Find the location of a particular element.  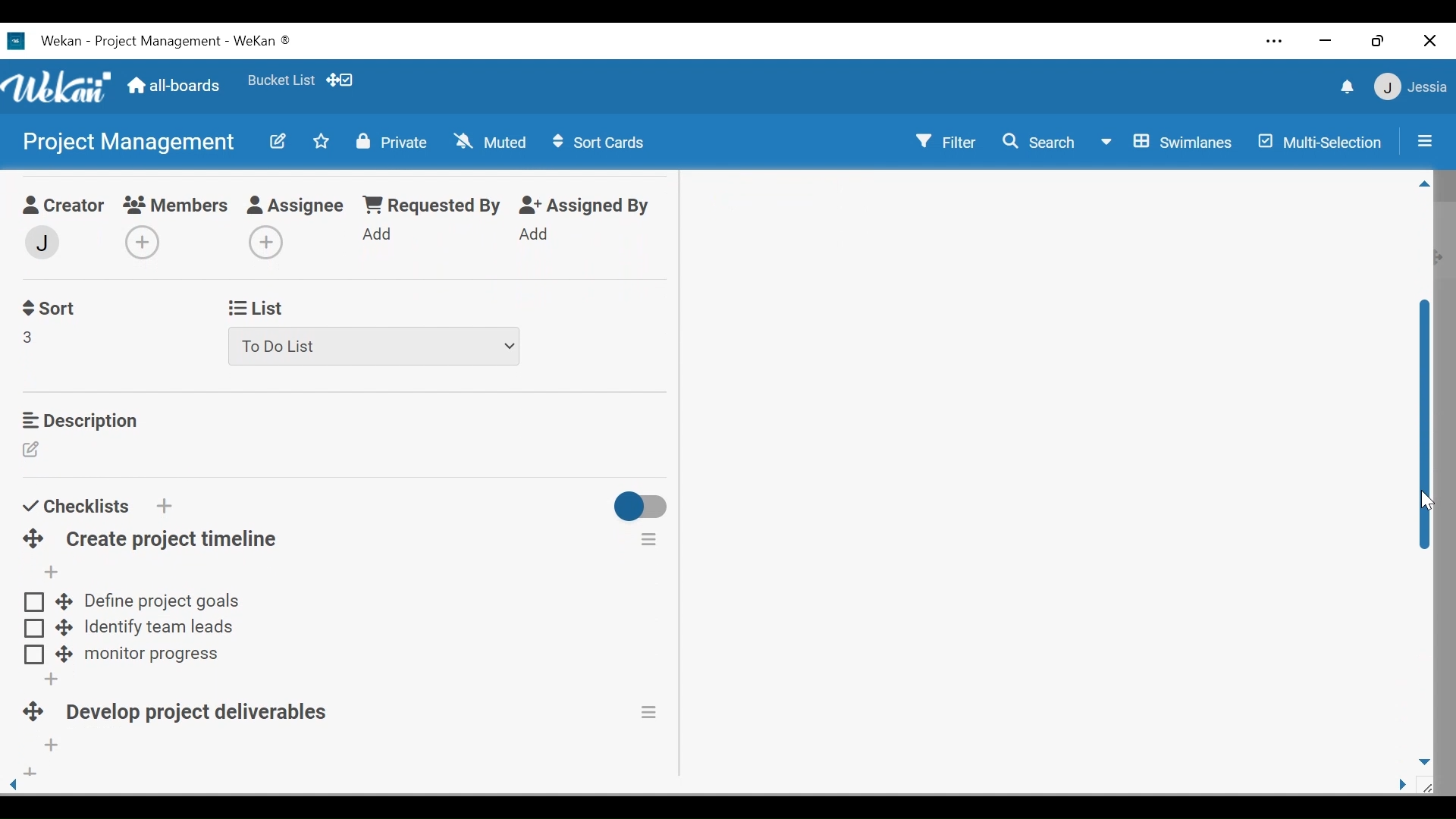

Add checklist item is located at coordinates (52, 746).